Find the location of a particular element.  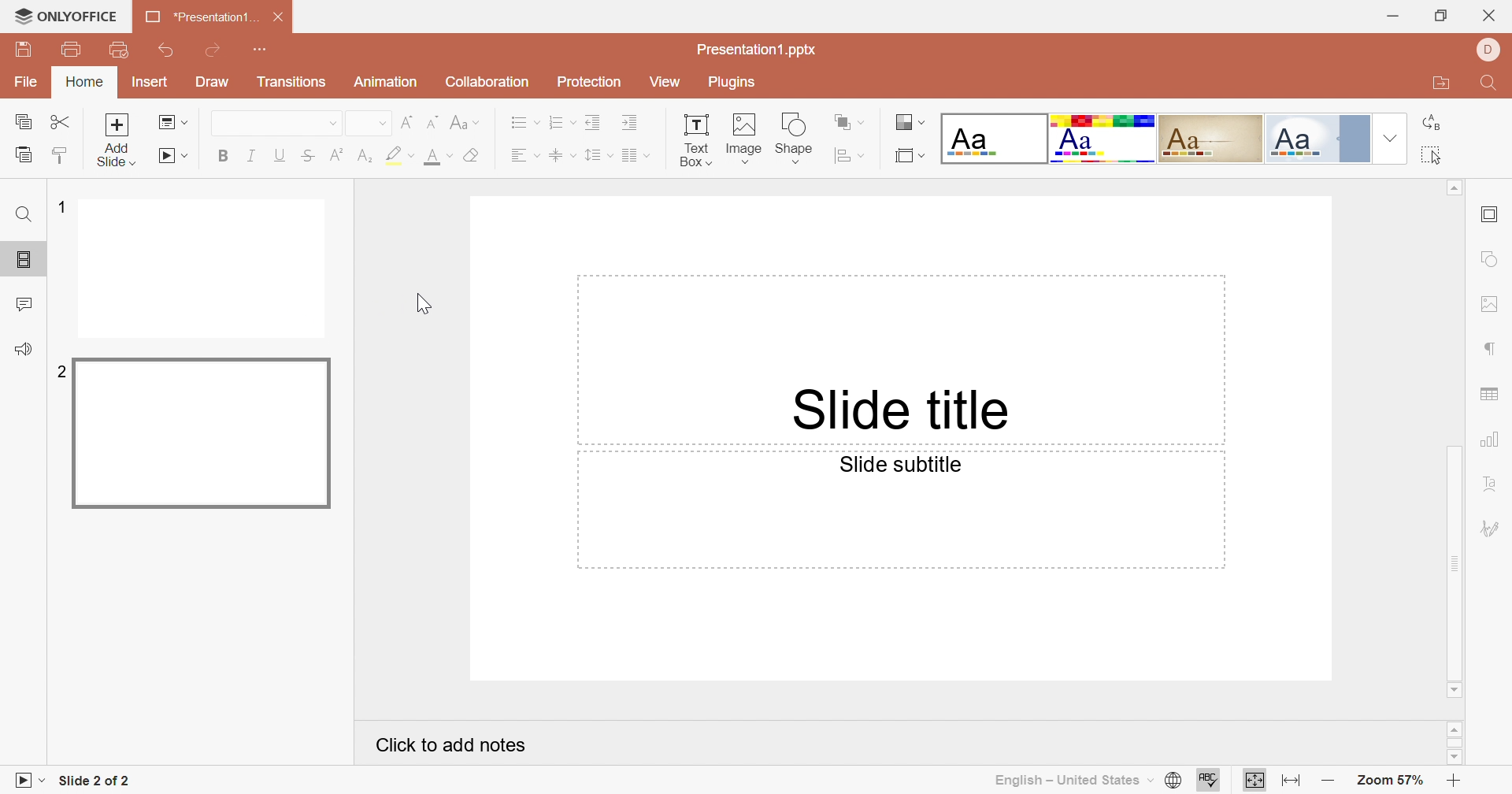

Drop Down is located at coordinates (480, 122).